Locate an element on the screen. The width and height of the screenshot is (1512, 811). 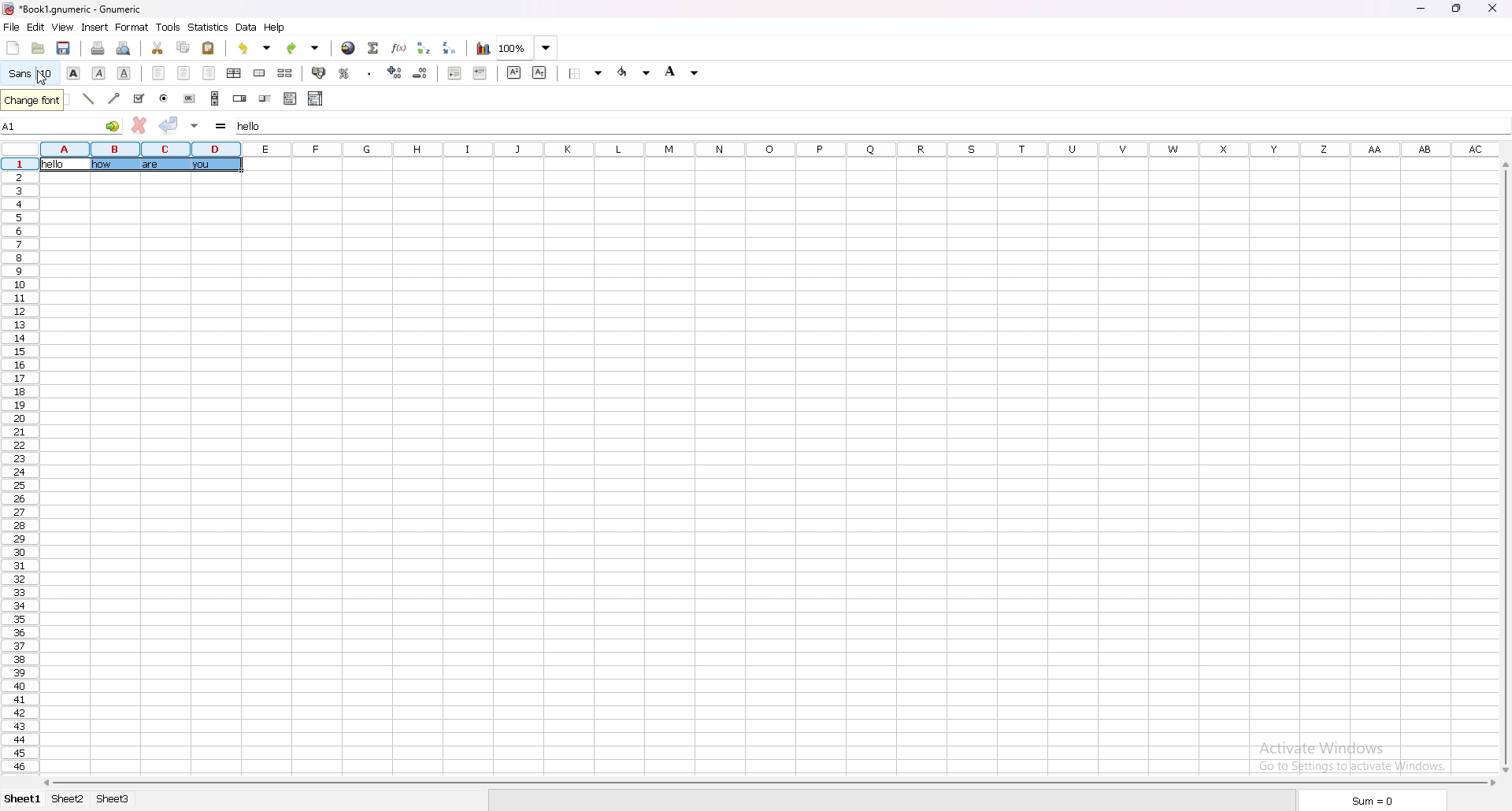
redo is located at coordinates (304, 47).